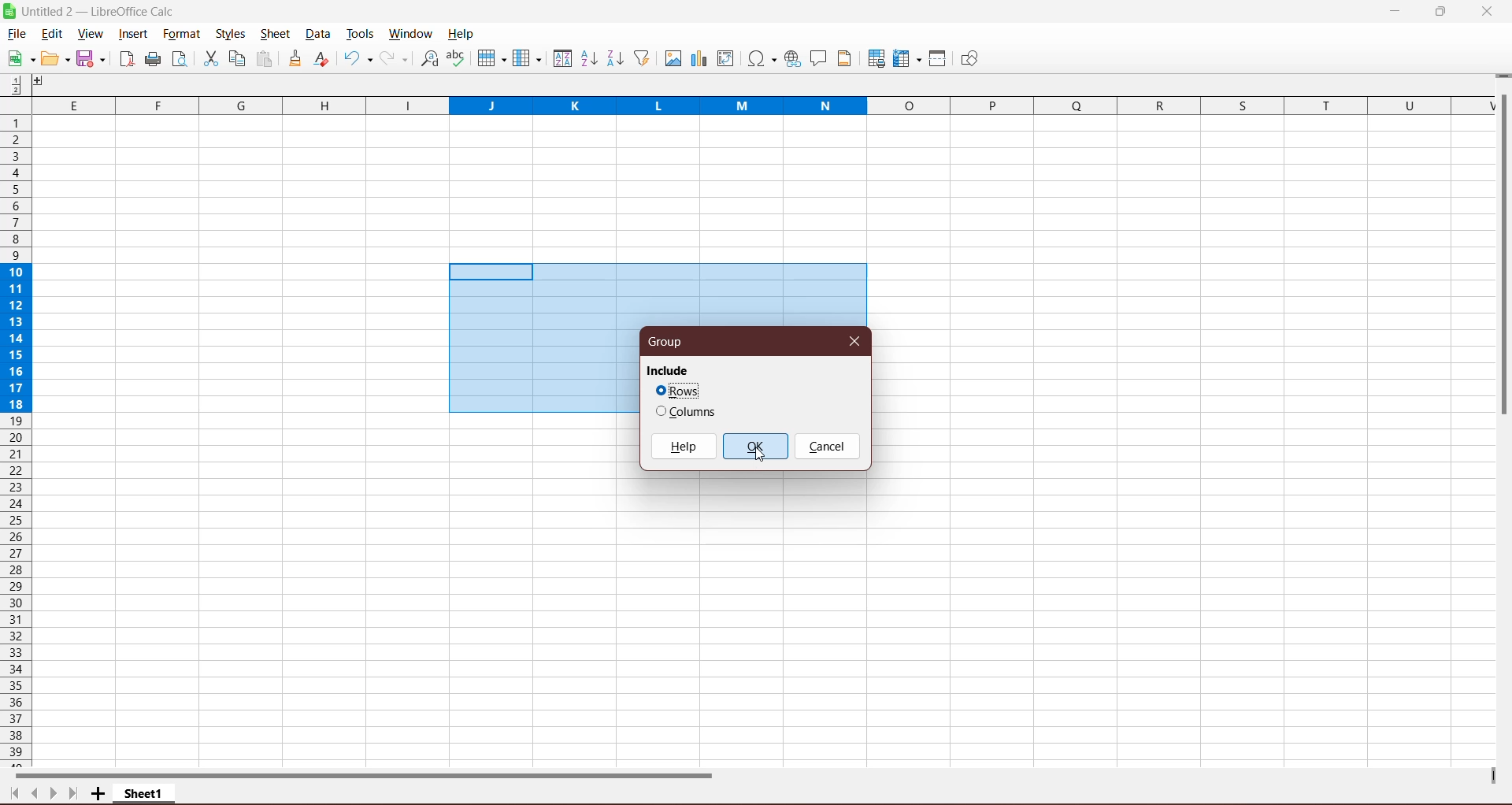 The image size is (1512, 805). Describe the element at coordinates (1488, 12) in the screenshot. I see `Close` at that location.